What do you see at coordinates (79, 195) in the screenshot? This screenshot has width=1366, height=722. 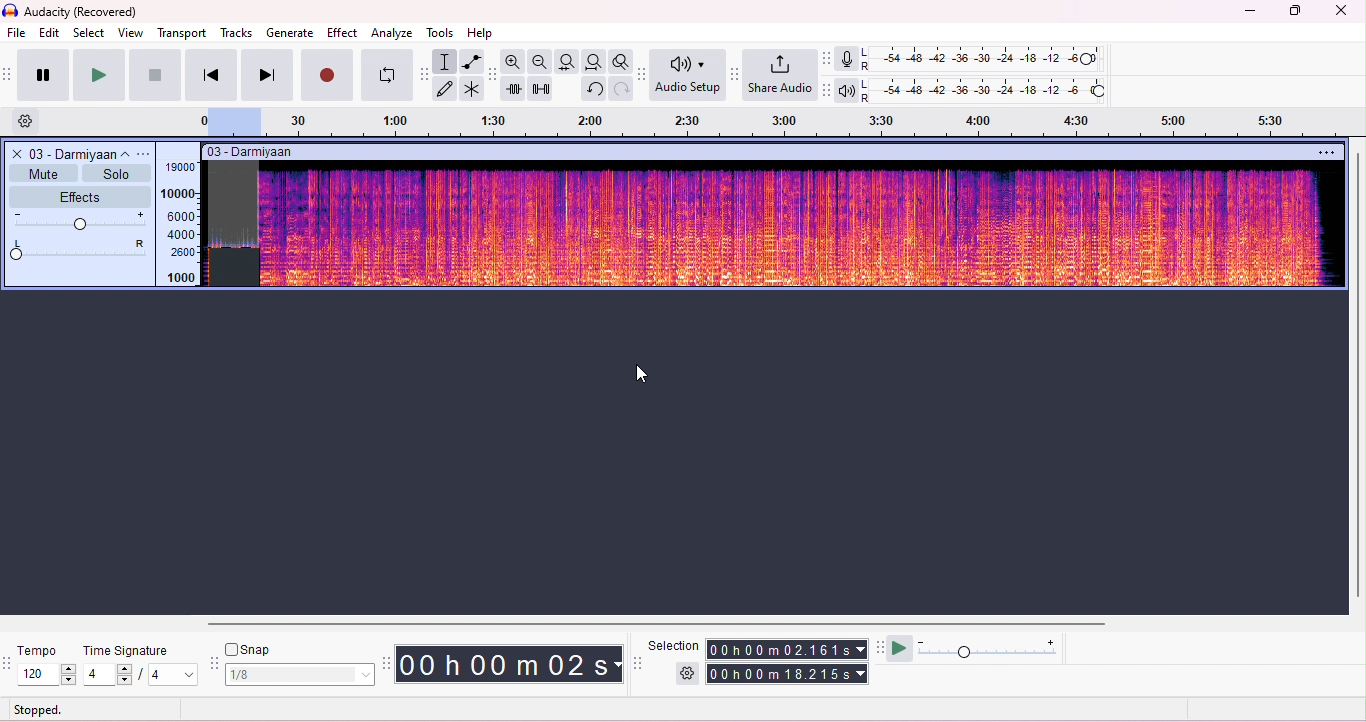 I see `effects` at bounding box center [79, 195].